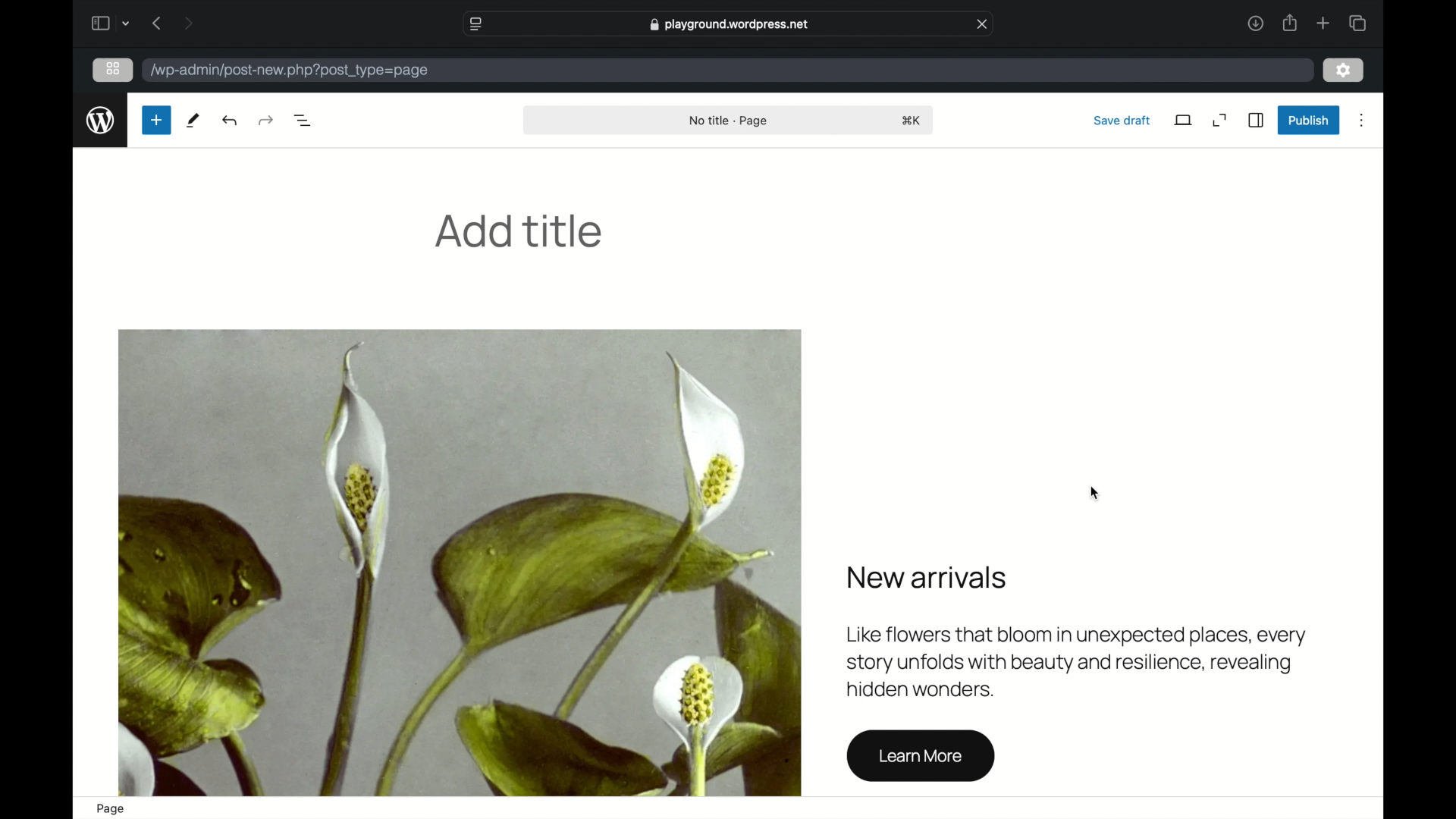 Image resolution: width=1456 pixels, height=819 pixels. I want to click on cursor, so click(1094, 494).